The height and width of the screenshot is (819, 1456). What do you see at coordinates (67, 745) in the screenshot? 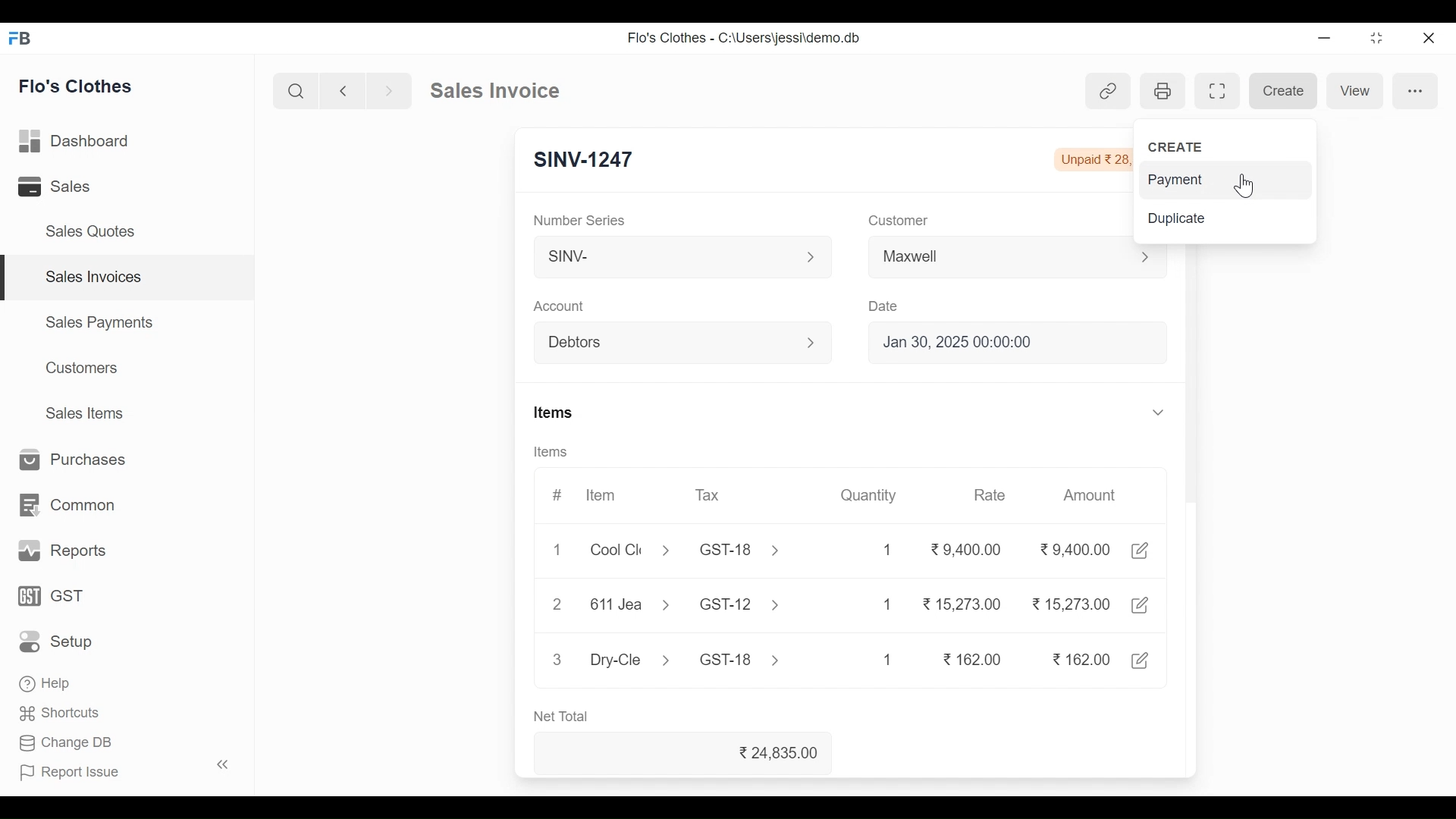
I see `Change DB` at bounding box center [67, 745].